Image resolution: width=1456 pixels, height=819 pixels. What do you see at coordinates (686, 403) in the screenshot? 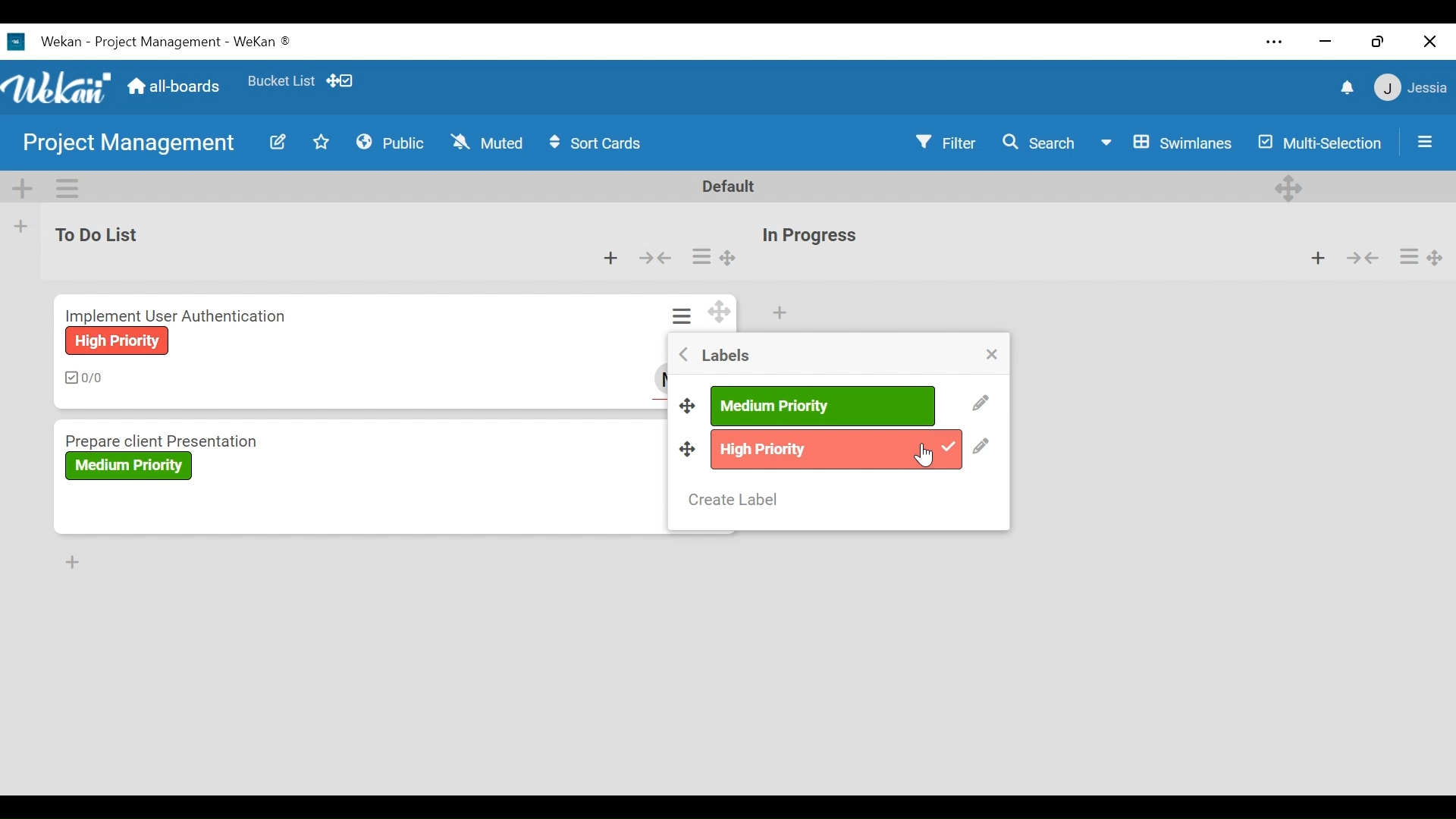
I see `Desktop drag handle` at bounding box center [686, 403].